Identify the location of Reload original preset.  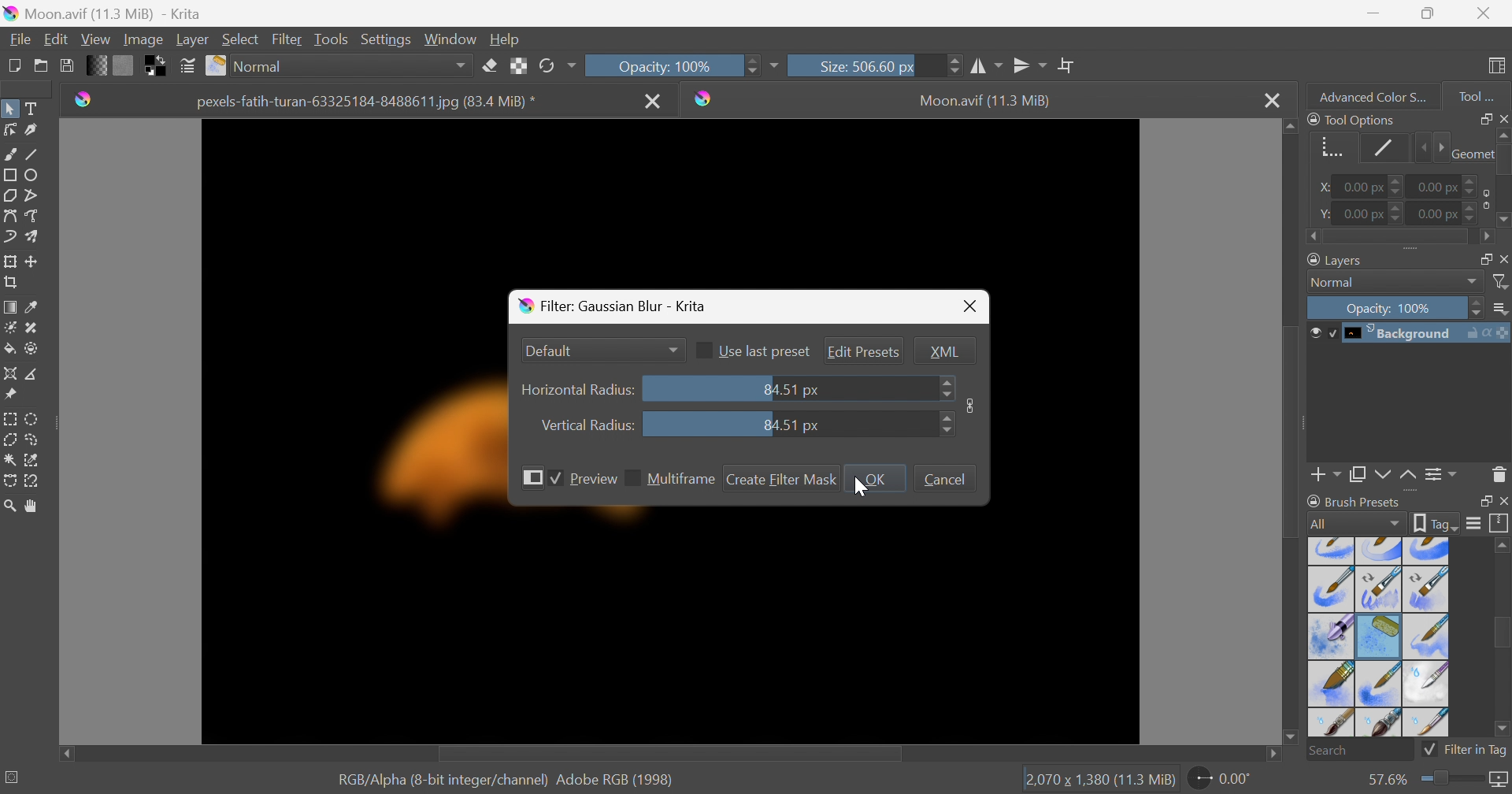
(556, 66).